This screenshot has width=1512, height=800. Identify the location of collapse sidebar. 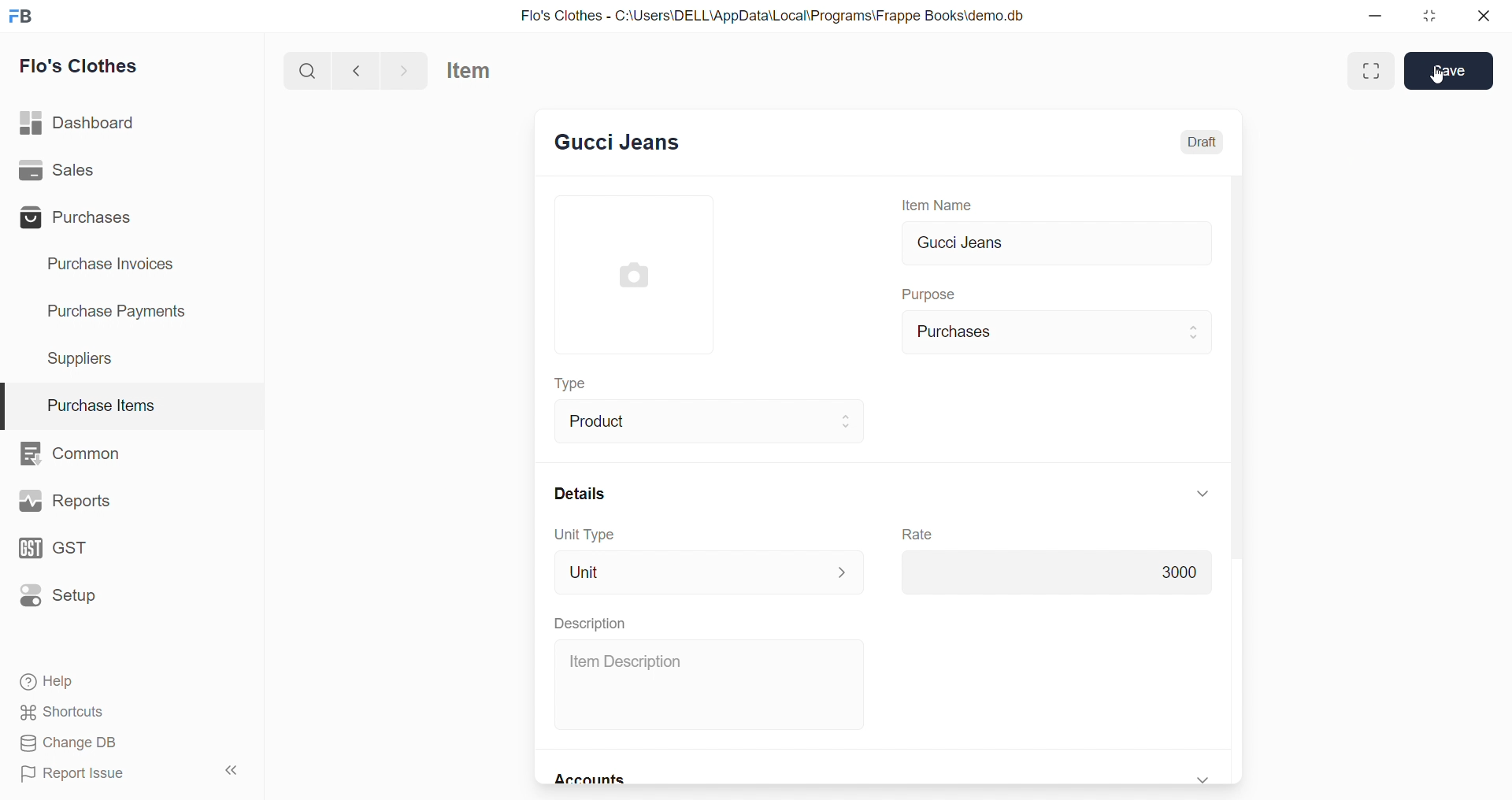
(238, 772).